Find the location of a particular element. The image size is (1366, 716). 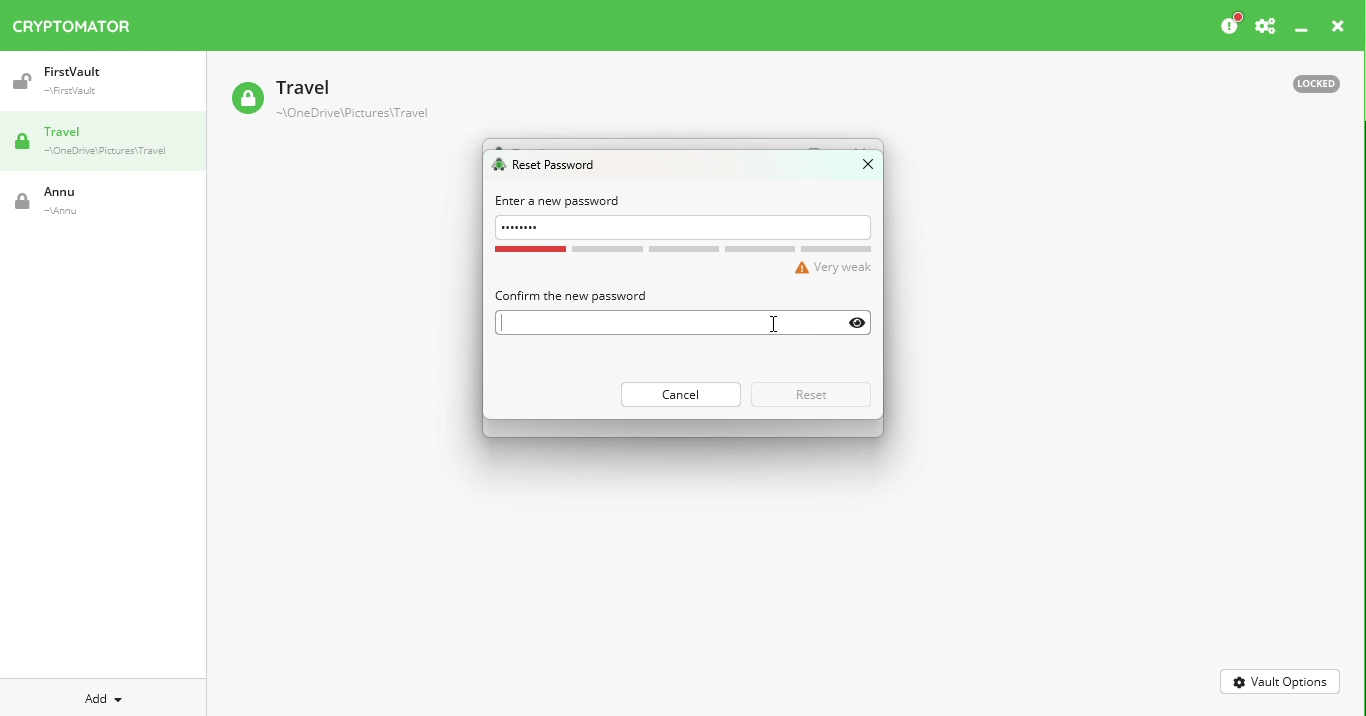

Minimize is located at coordinates (1302, 31).